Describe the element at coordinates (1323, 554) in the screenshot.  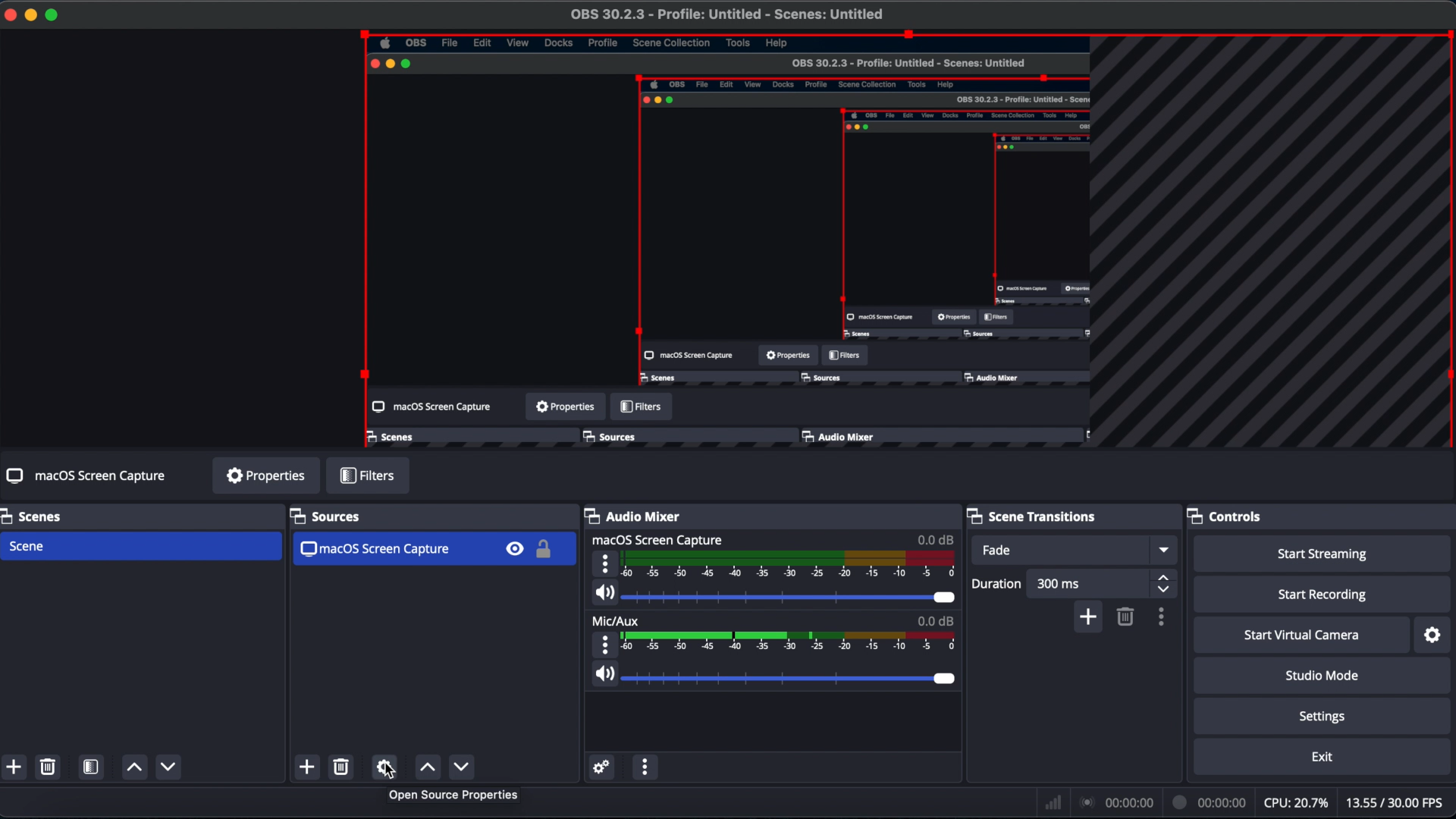
I see `start streaming` at that location.